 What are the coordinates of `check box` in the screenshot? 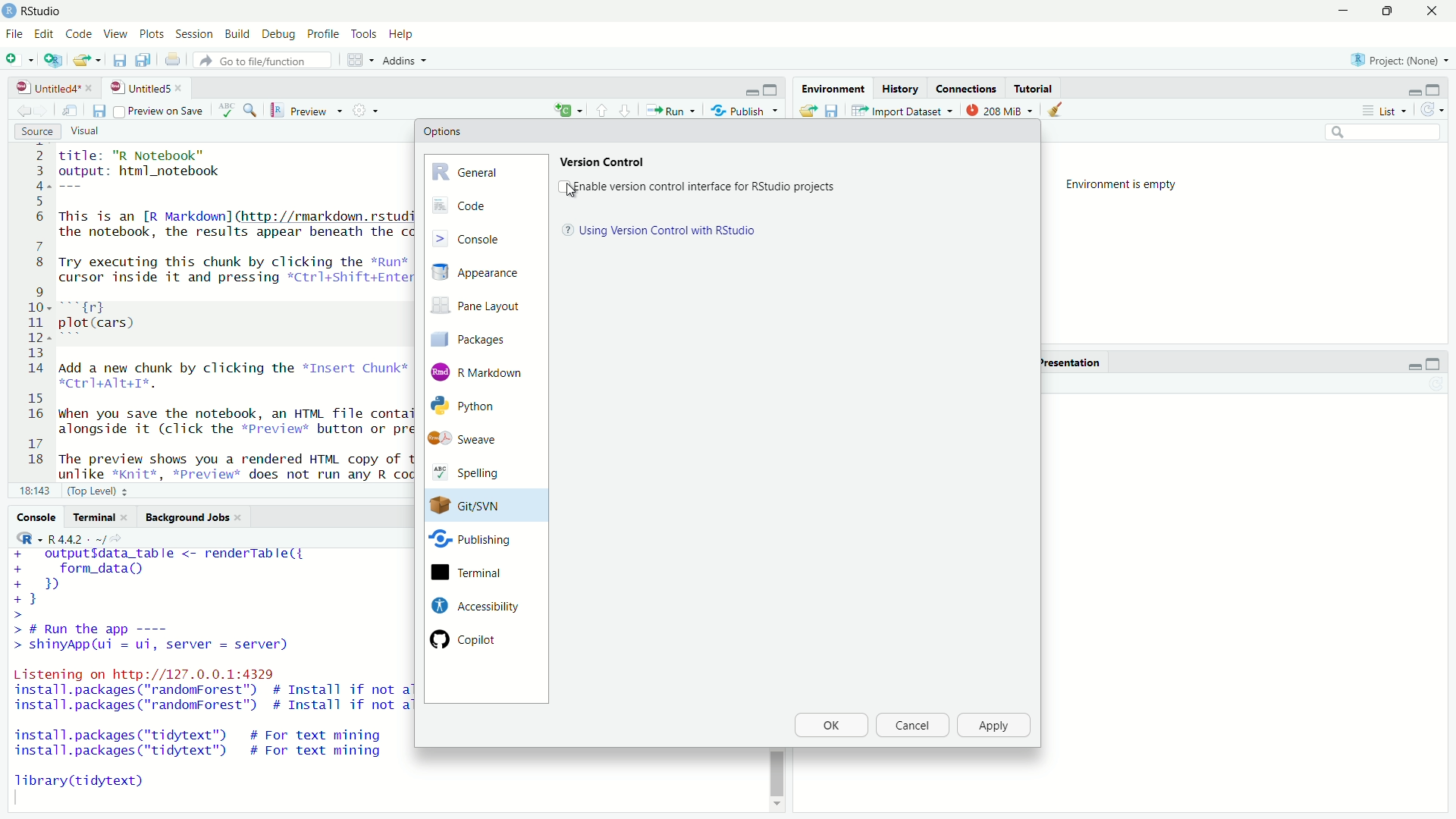 It's located at (562, 186).